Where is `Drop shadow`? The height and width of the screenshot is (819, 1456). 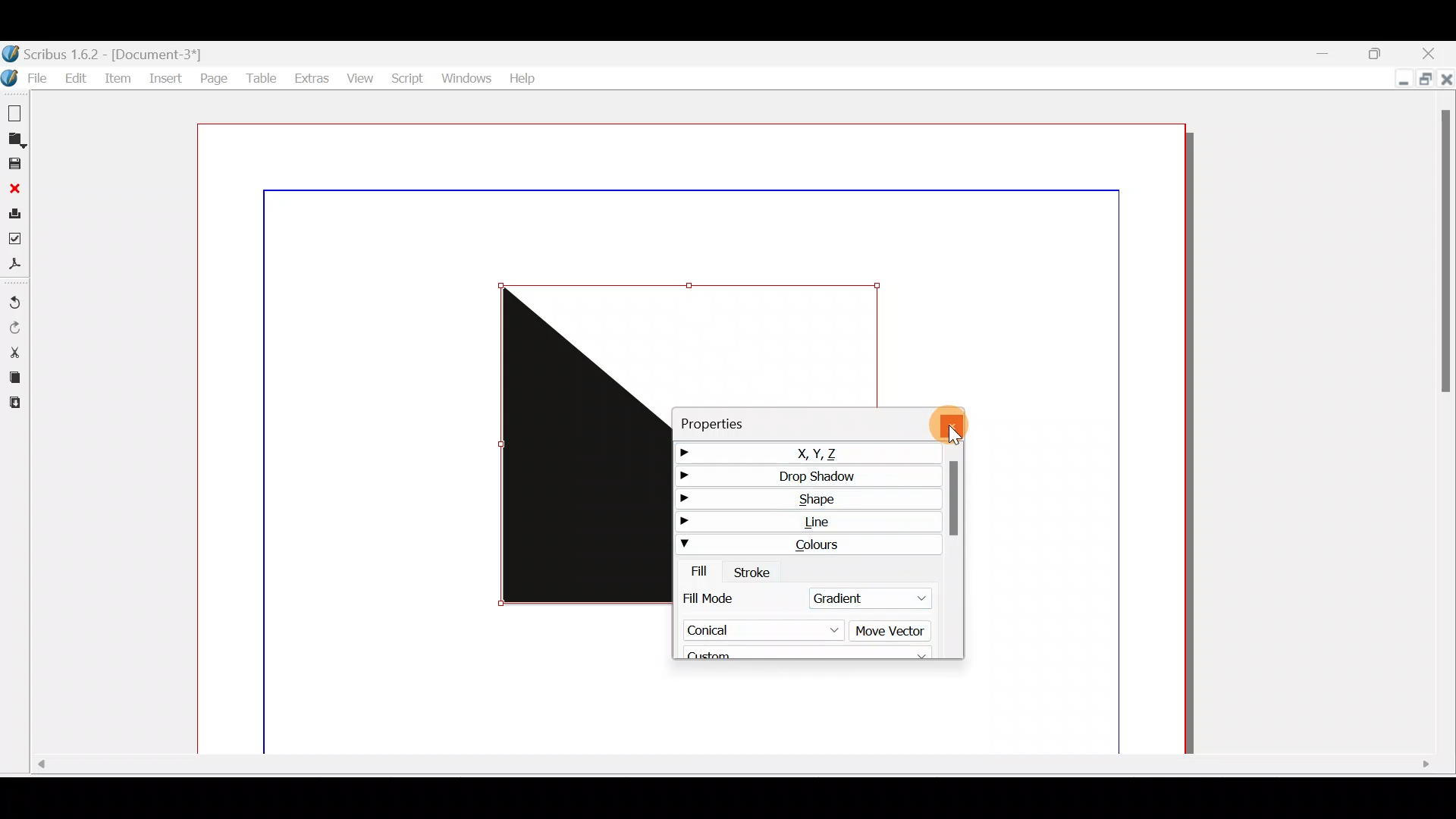
Drop shadow is located at coordinates (803, 475).